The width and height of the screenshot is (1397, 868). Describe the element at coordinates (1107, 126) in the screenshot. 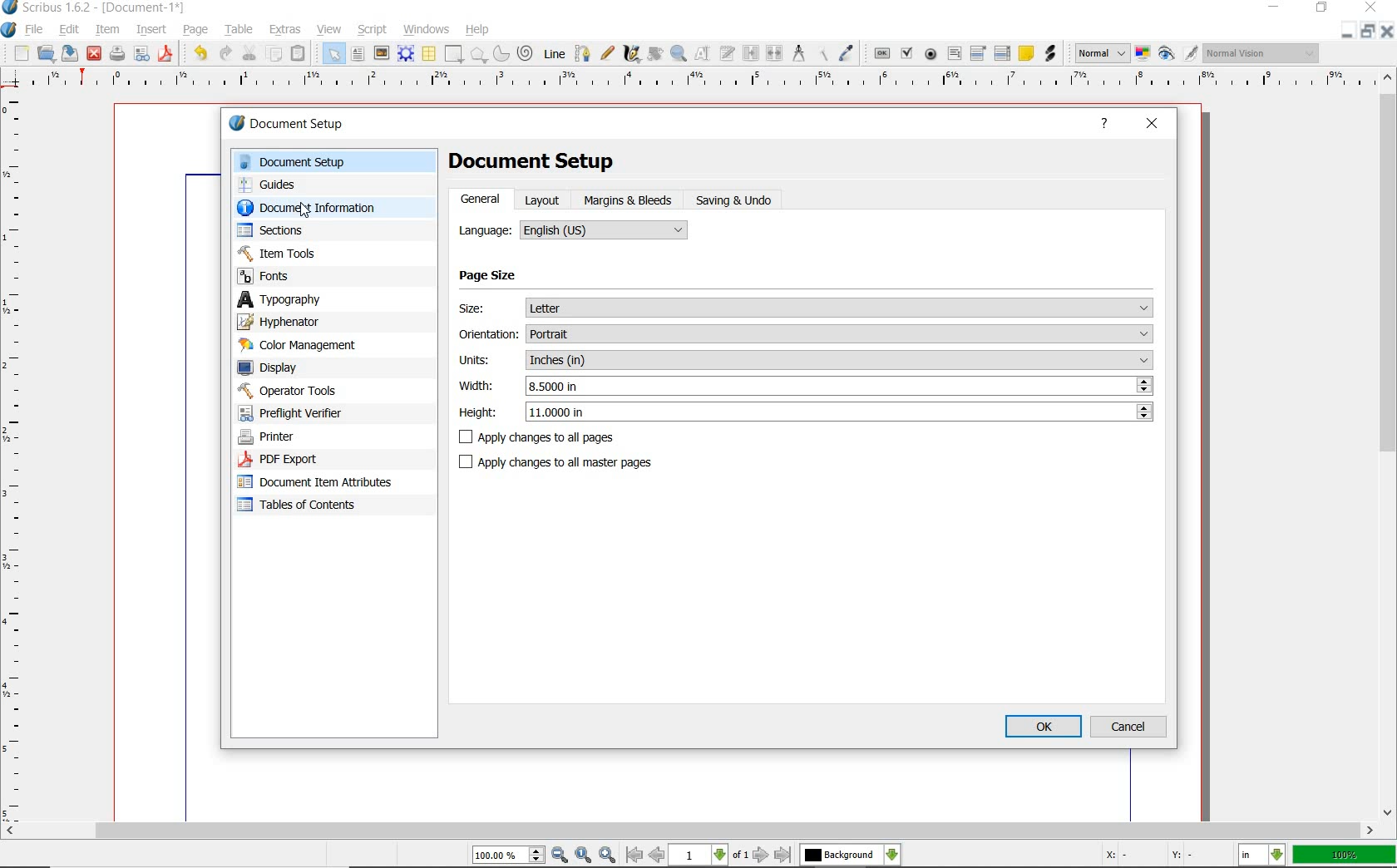

I see `help` at that location.